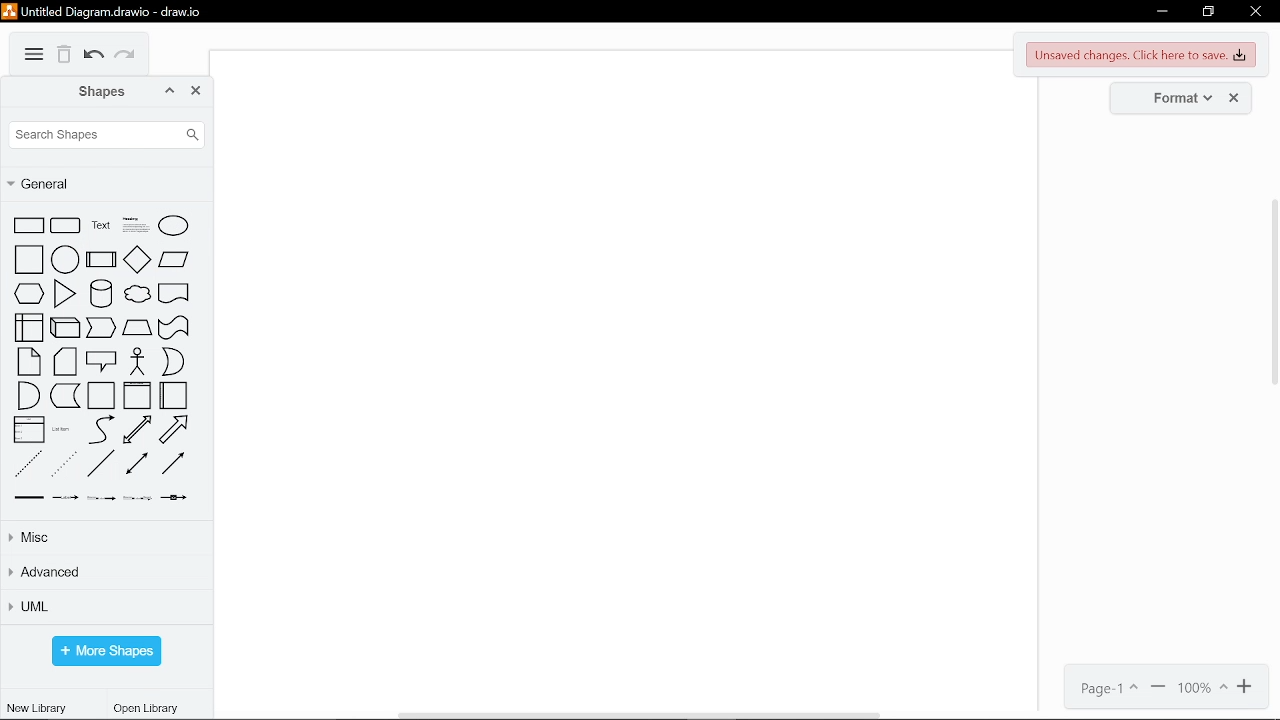 The image size is (1280, 720). What do you see at coordinates (100, 260) in the screenshot?
I see `process` at bounding box center [100, 260].